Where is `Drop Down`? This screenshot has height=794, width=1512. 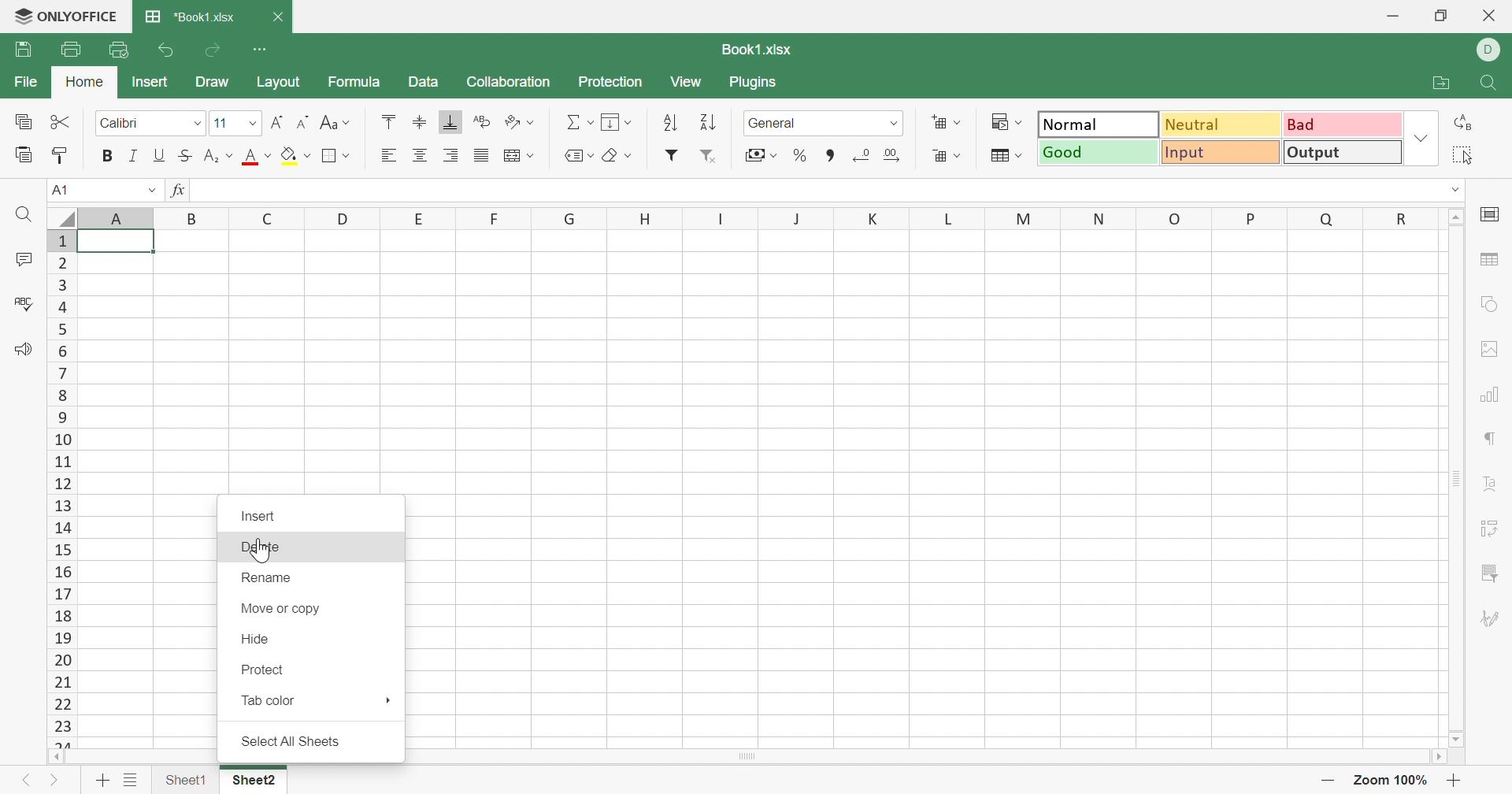
Drop Down is located at coordinates (628, 156).